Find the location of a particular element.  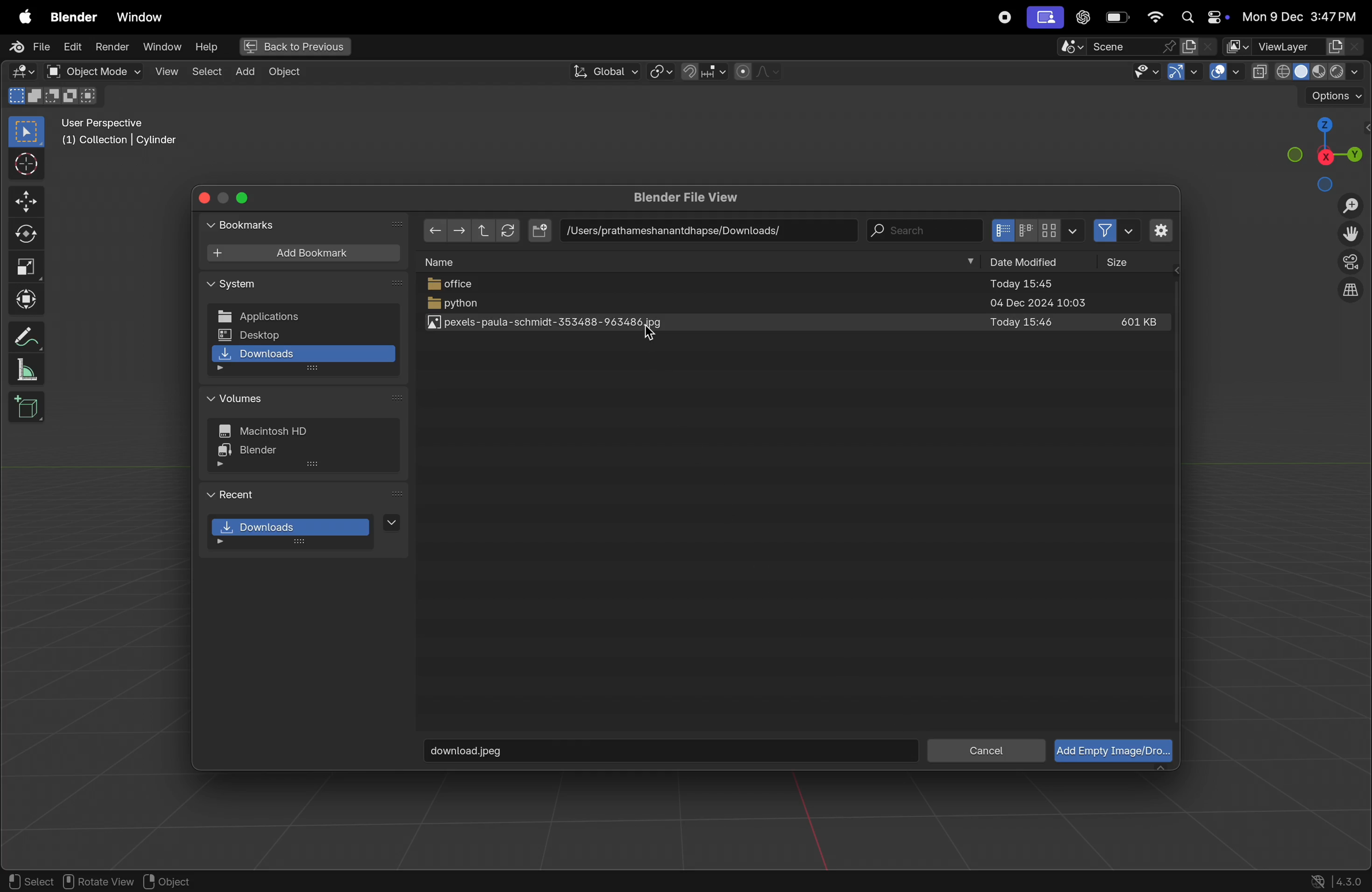

download image is located at coordinates (671, 751).